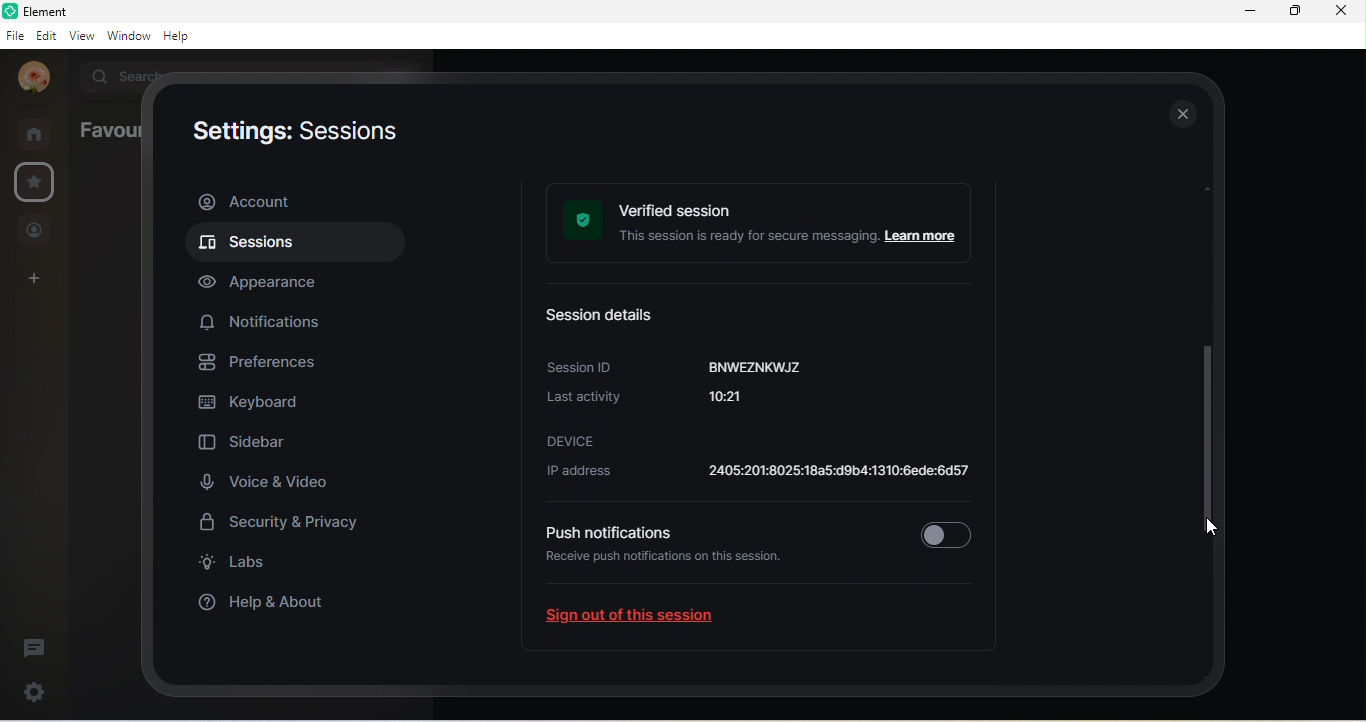 This screenshot has width=1366, height=722. Describe the element at coordinates (119, 74) in the screenshot. I see `search` at that location.